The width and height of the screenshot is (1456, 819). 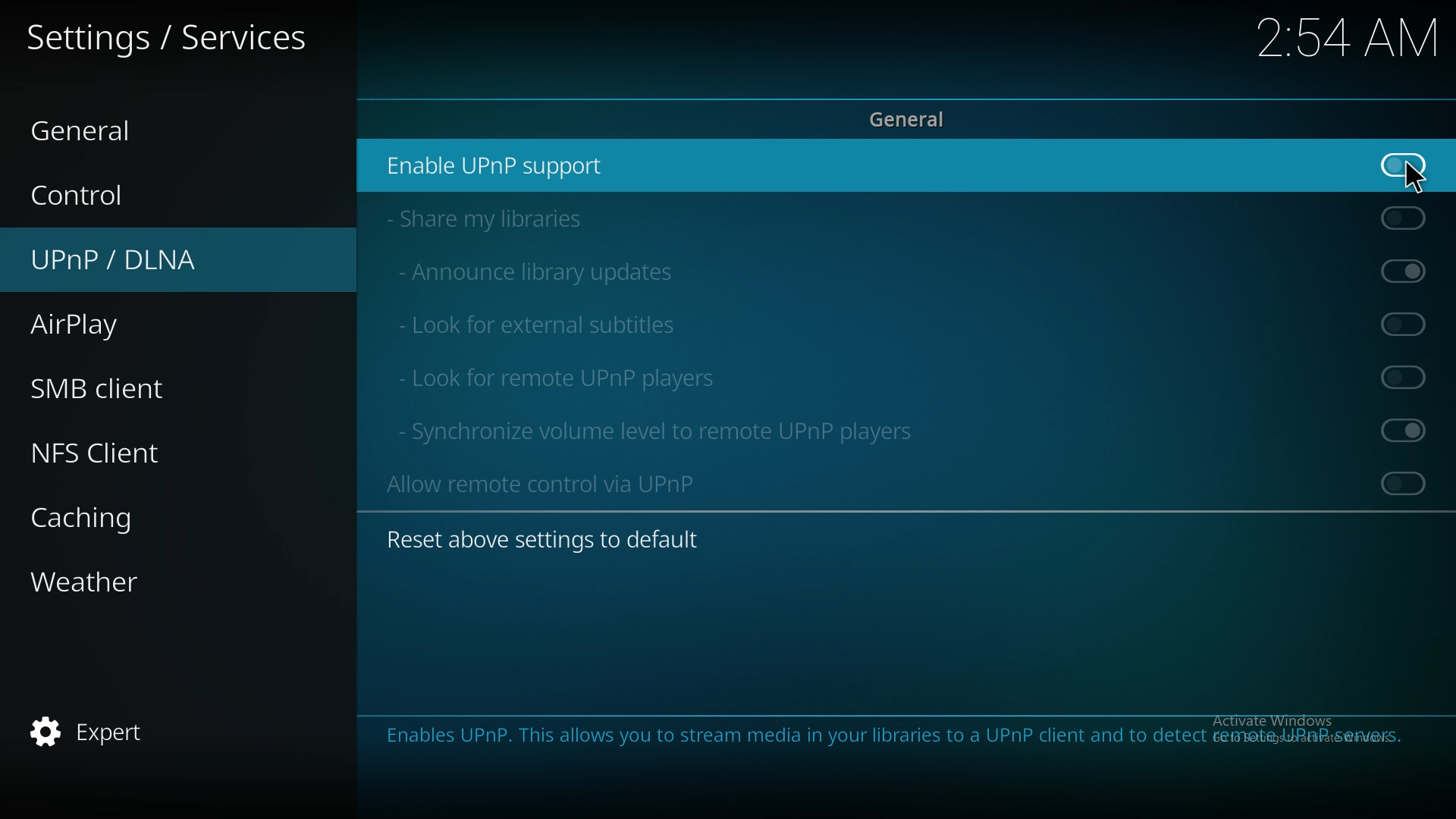 I want to click on allow remote control via upnp, so click(x=560, y=483).